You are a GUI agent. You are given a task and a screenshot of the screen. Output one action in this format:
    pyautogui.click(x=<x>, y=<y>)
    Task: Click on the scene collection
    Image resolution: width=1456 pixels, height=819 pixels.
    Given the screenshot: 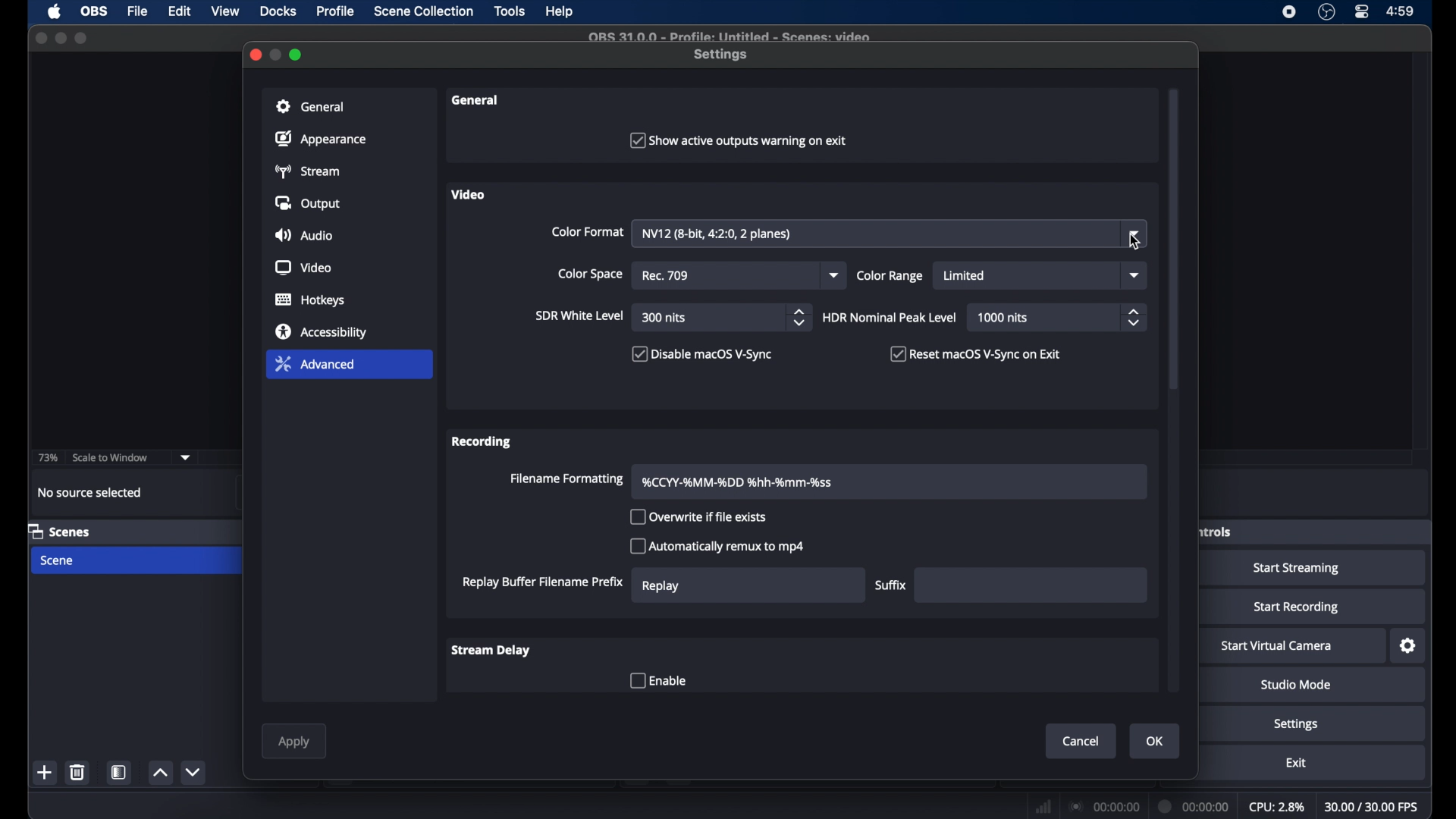 What is the action you would take?
    pyautogui.click(x=422, y=11)
    